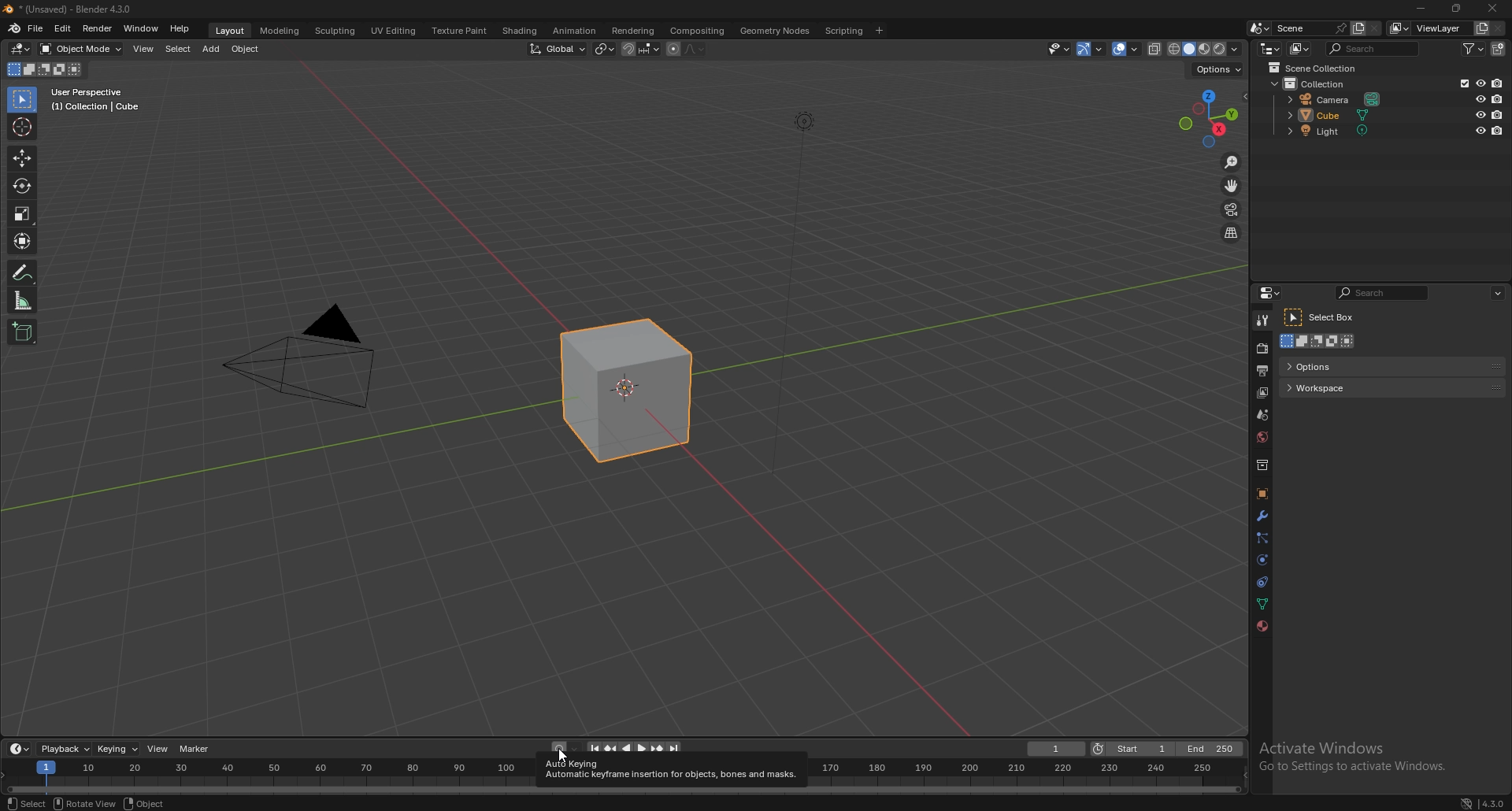  What do you see at coordinates (1262, 494) in the screenshot?
I see `object` at bounding box center [1262, 494].